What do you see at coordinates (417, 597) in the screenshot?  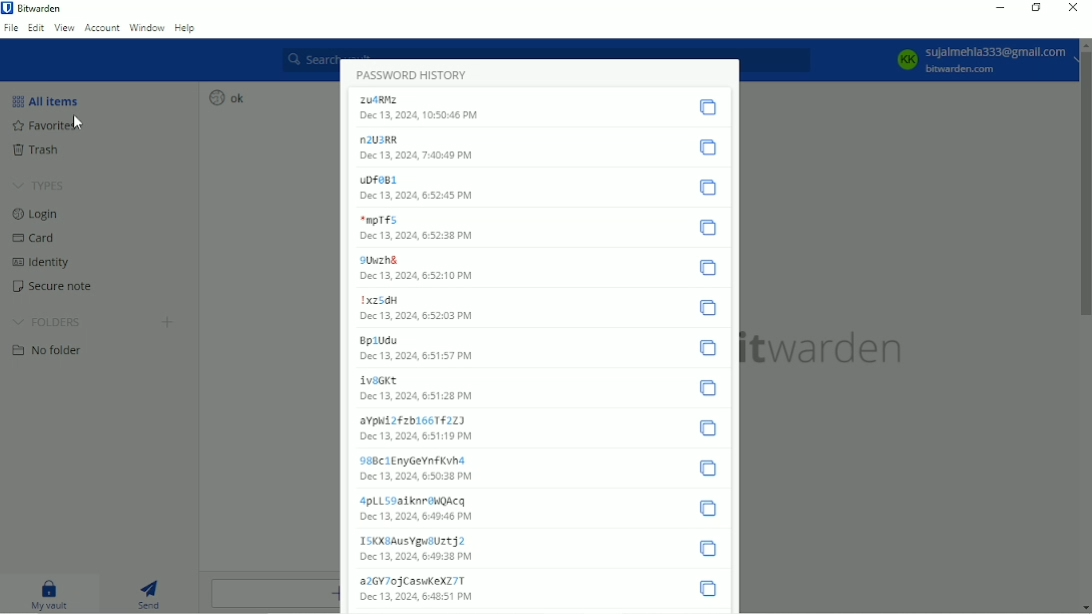 I see `Dec 13, 2024, 6:48:51 PM` at bounding box center [417, 597].